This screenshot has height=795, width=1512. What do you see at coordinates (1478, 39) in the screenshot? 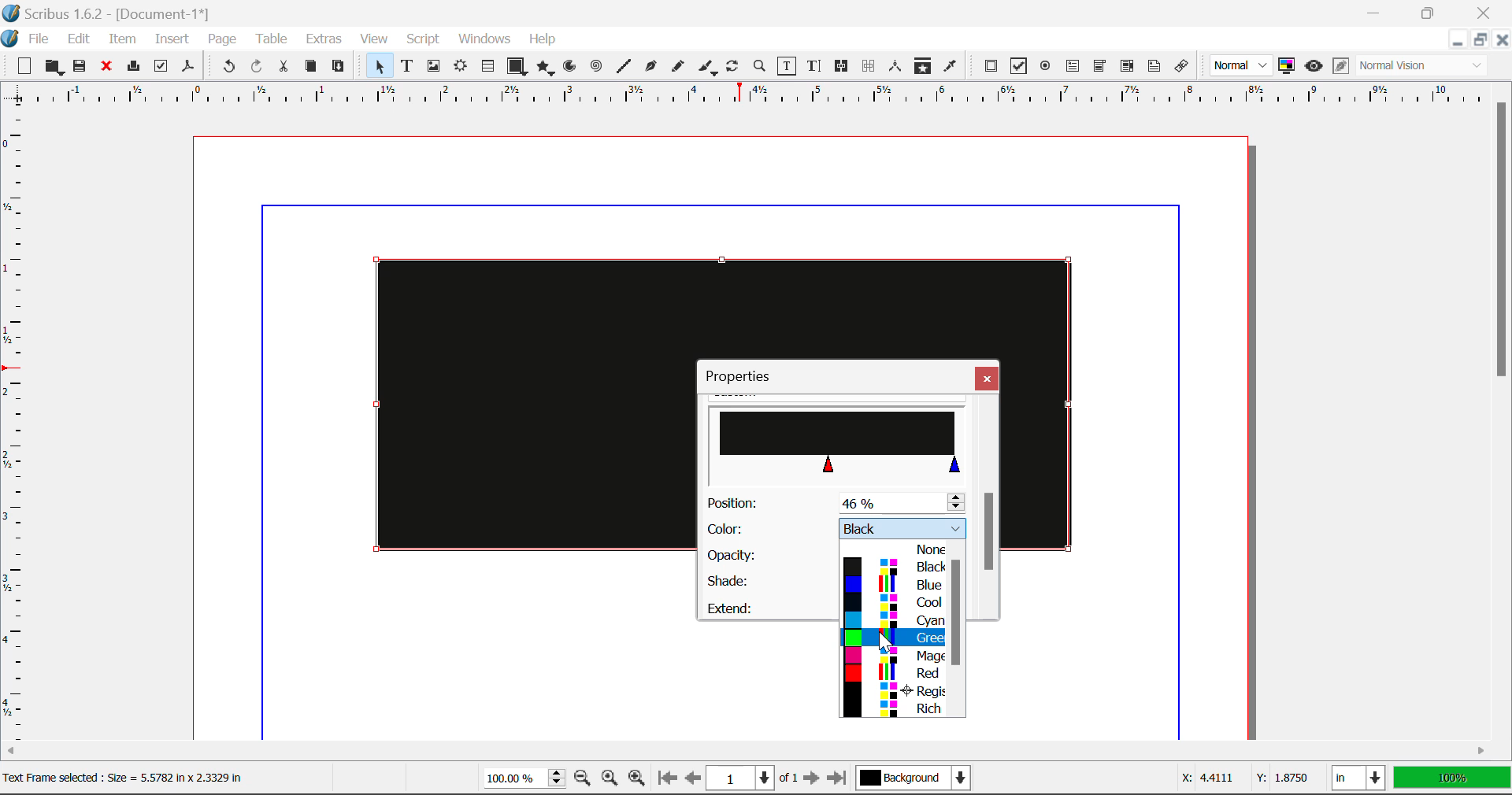
I see `Minimize` at bounding box center [1478, 39].